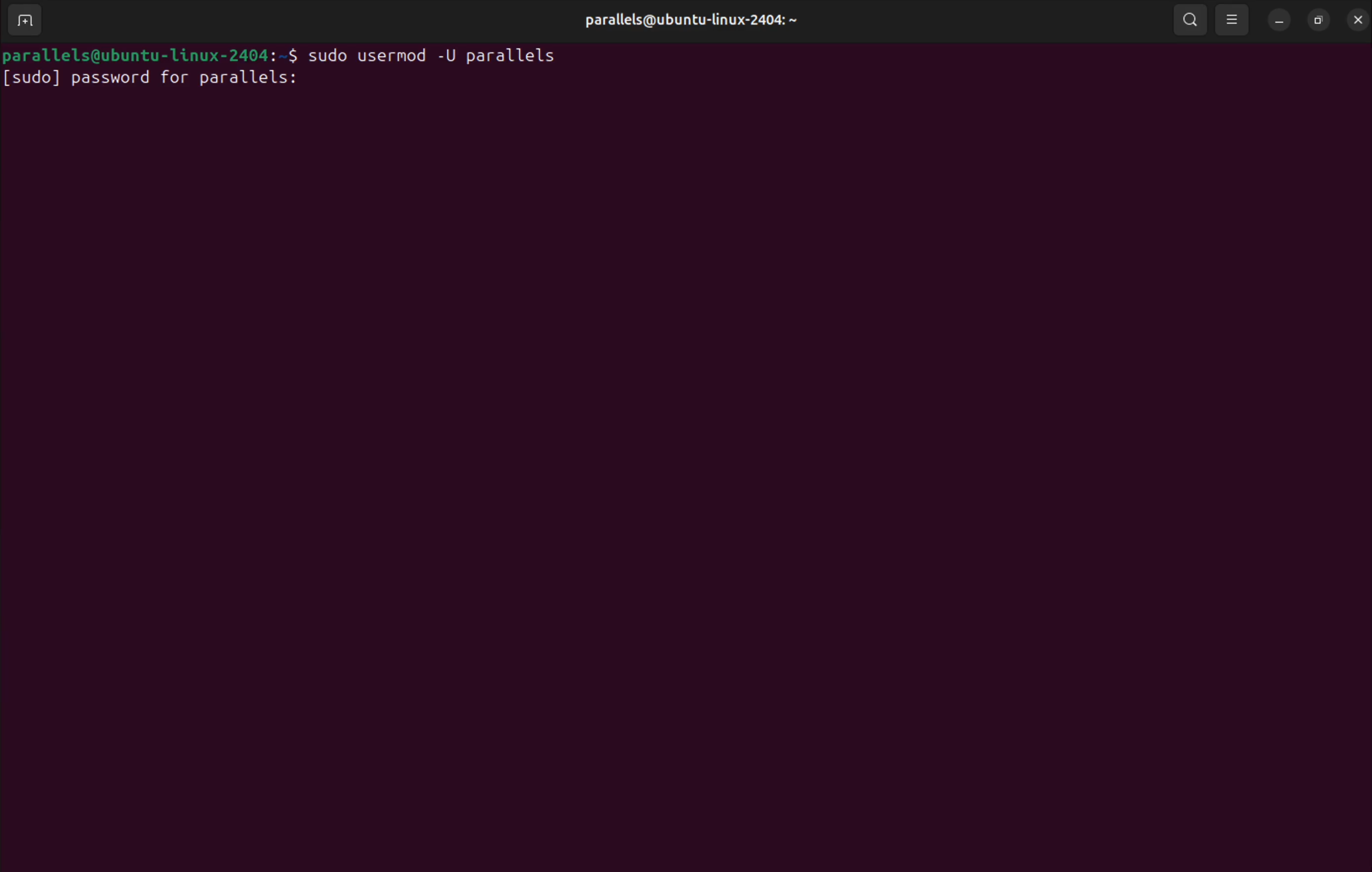 The image size is (1372, 872). I want to click on minimize, so click(1280, 21).